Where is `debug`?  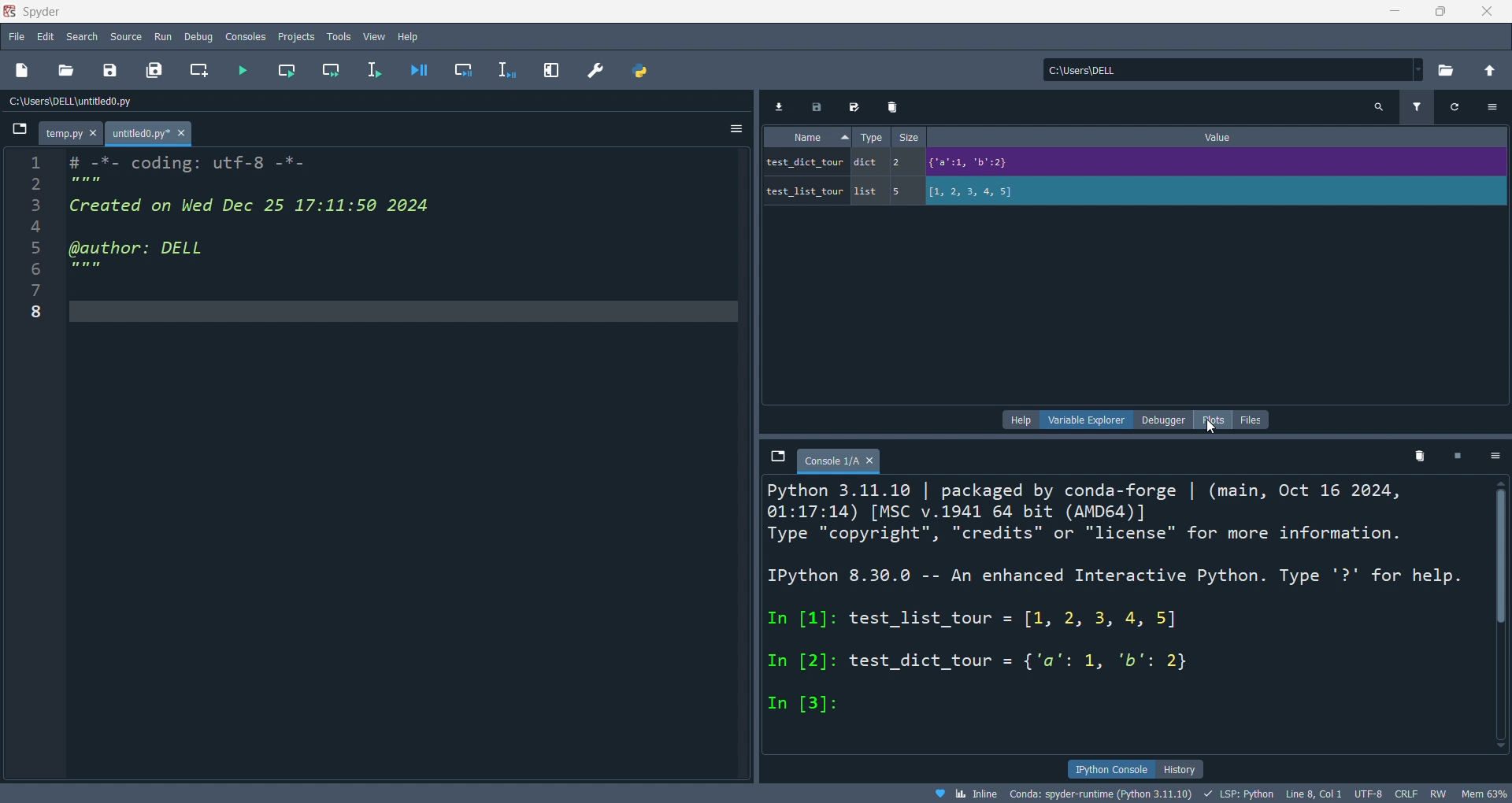
debug is located at coordinates (196, 35).